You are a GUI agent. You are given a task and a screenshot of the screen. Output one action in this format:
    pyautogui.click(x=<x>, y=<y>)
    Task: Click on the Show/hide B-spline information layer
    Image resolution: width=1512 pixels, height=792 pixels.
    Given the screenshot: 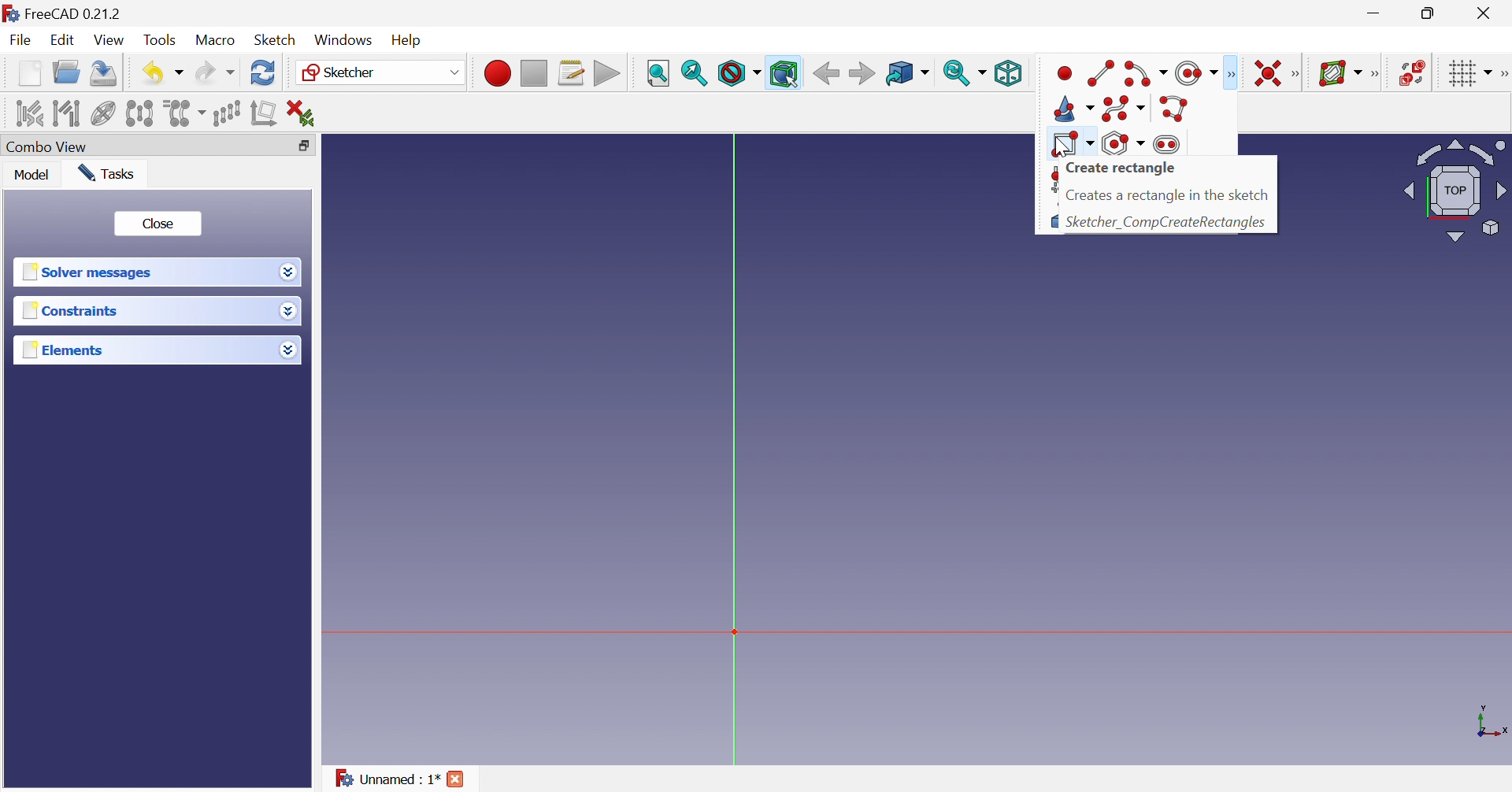 What is the action you would take?
    pyautogui.click(x=1339, y=73)
    